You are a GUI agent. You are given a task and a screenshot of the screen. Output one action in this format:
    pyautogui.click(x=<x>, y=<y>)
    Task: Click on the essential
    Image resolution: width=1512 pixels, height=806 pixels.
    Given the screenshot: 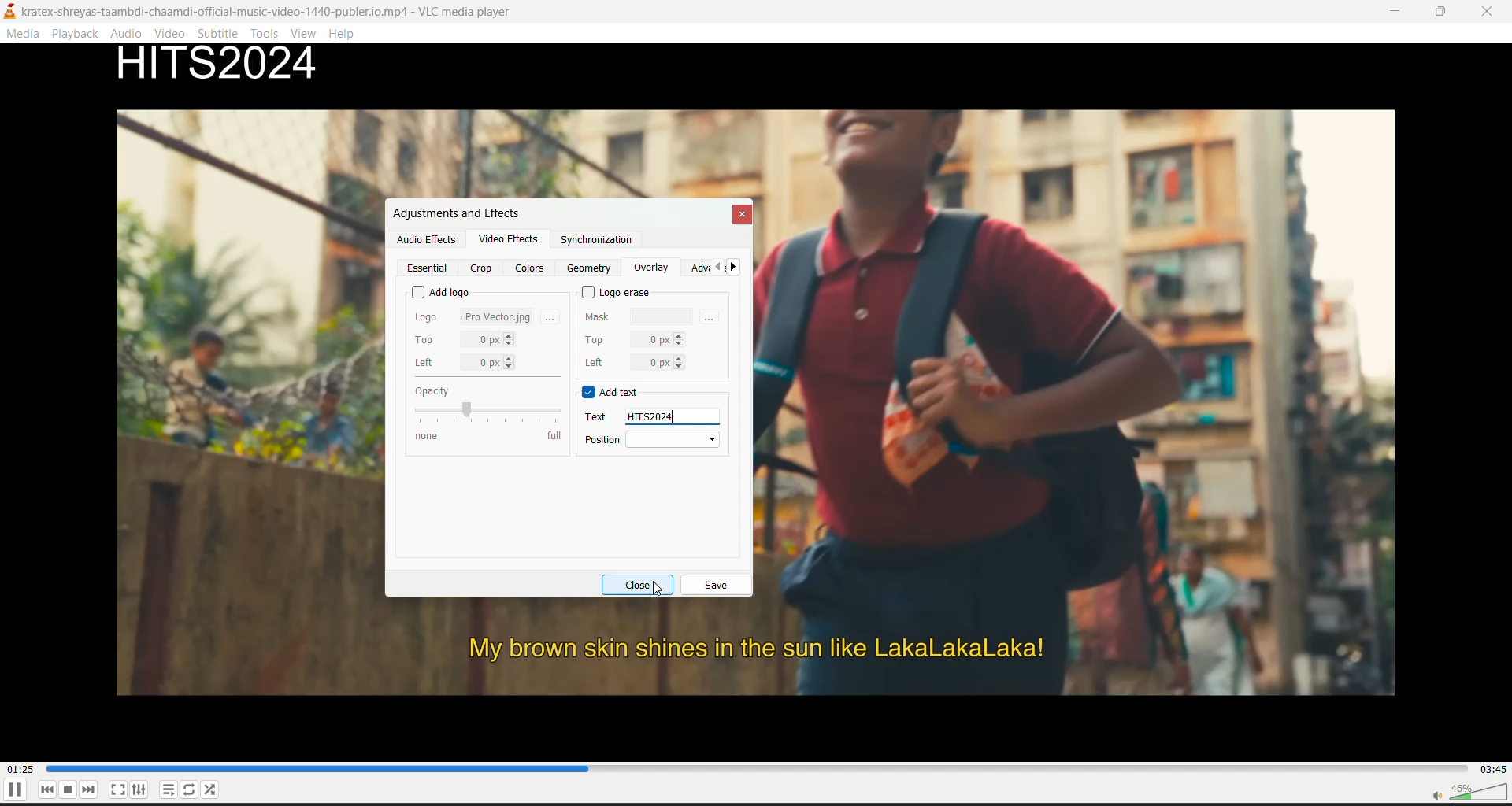 What is the action you would take?
    pyautogui.click(x=430, y=268)
    